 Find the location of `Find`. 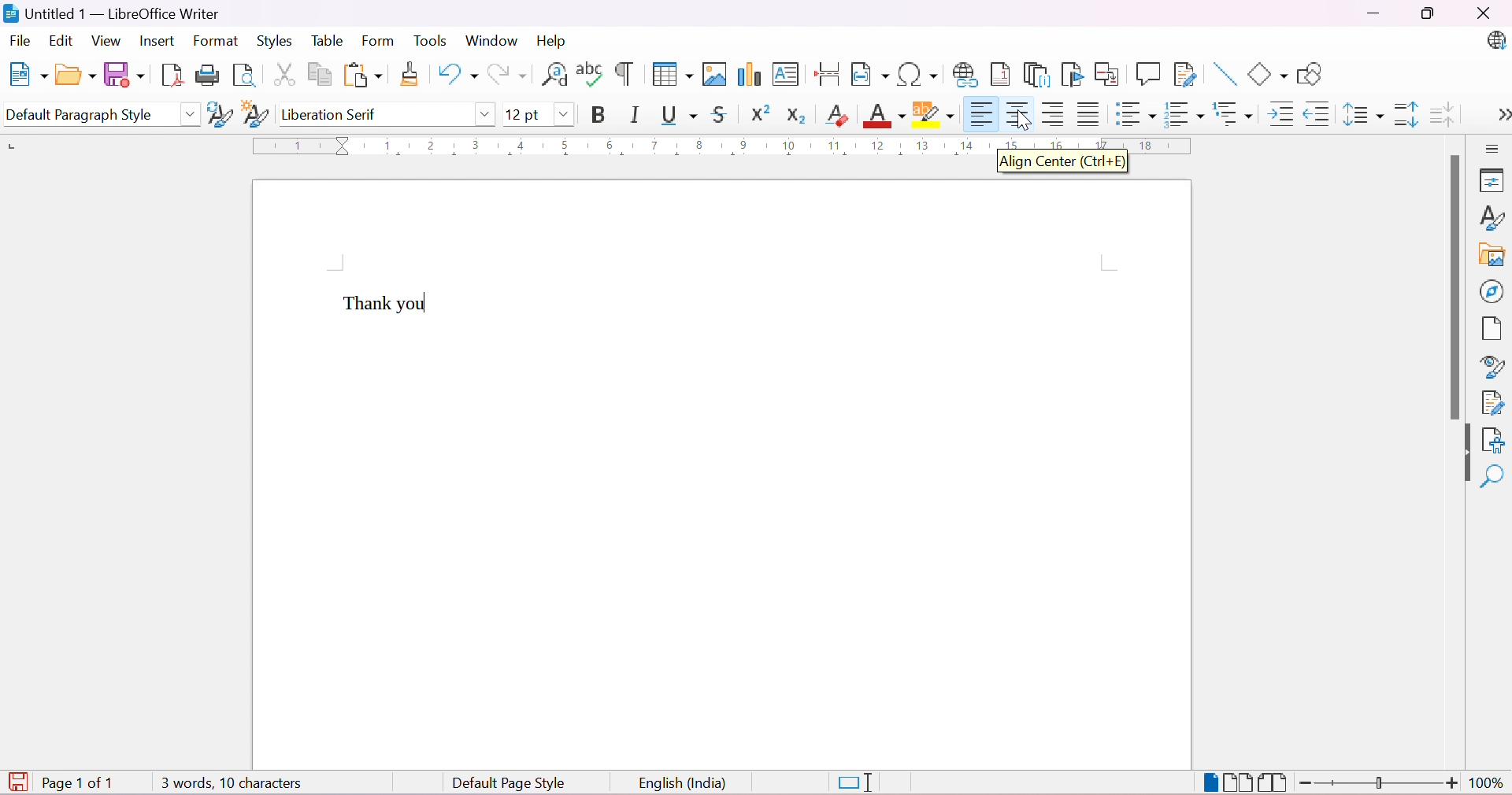

Find is located at coordinates (1492, 475).